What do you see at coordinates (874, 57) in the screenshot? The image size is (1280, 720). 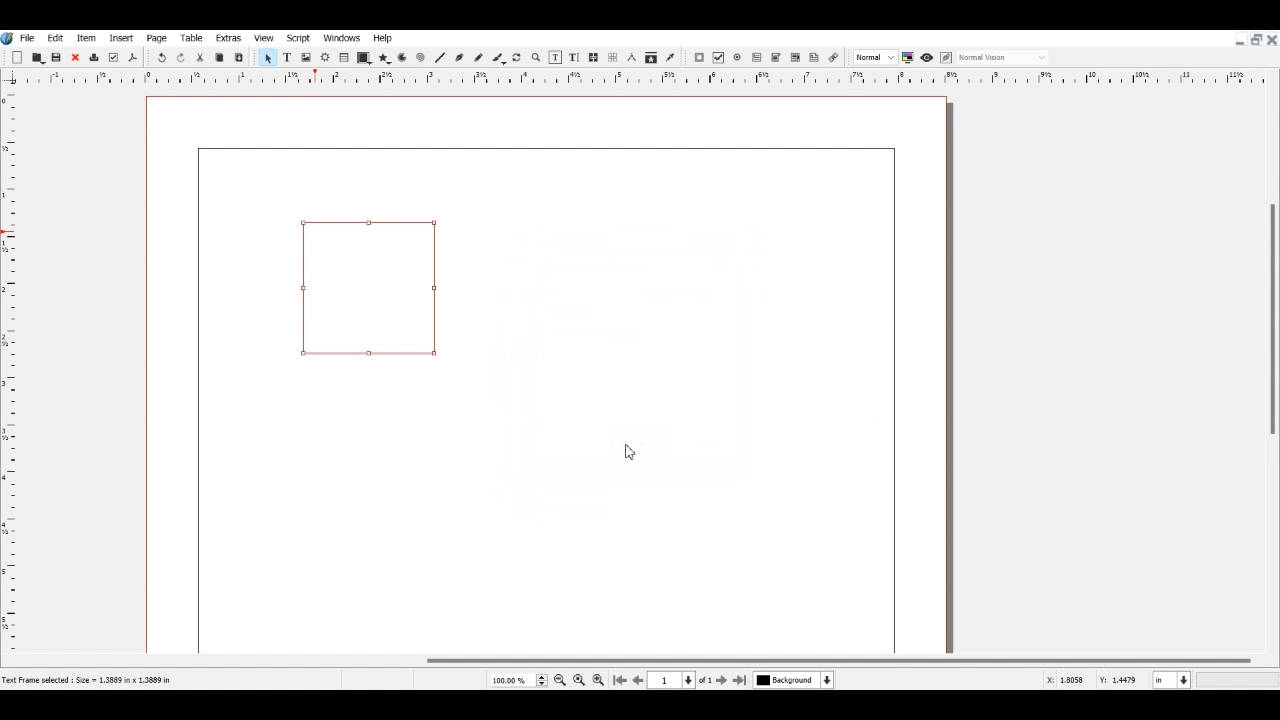 I see `Select the image preview quality` at bounding box center [874, 57].